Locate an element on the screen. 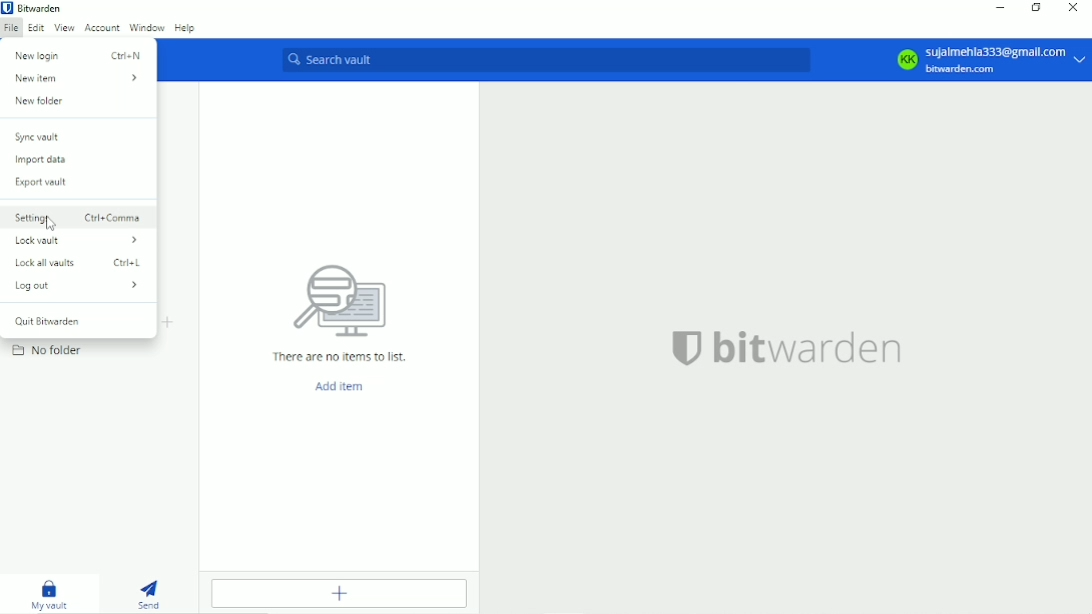 This screenshot has width=1092, height=614. Help is located at coordinates (186, 27).